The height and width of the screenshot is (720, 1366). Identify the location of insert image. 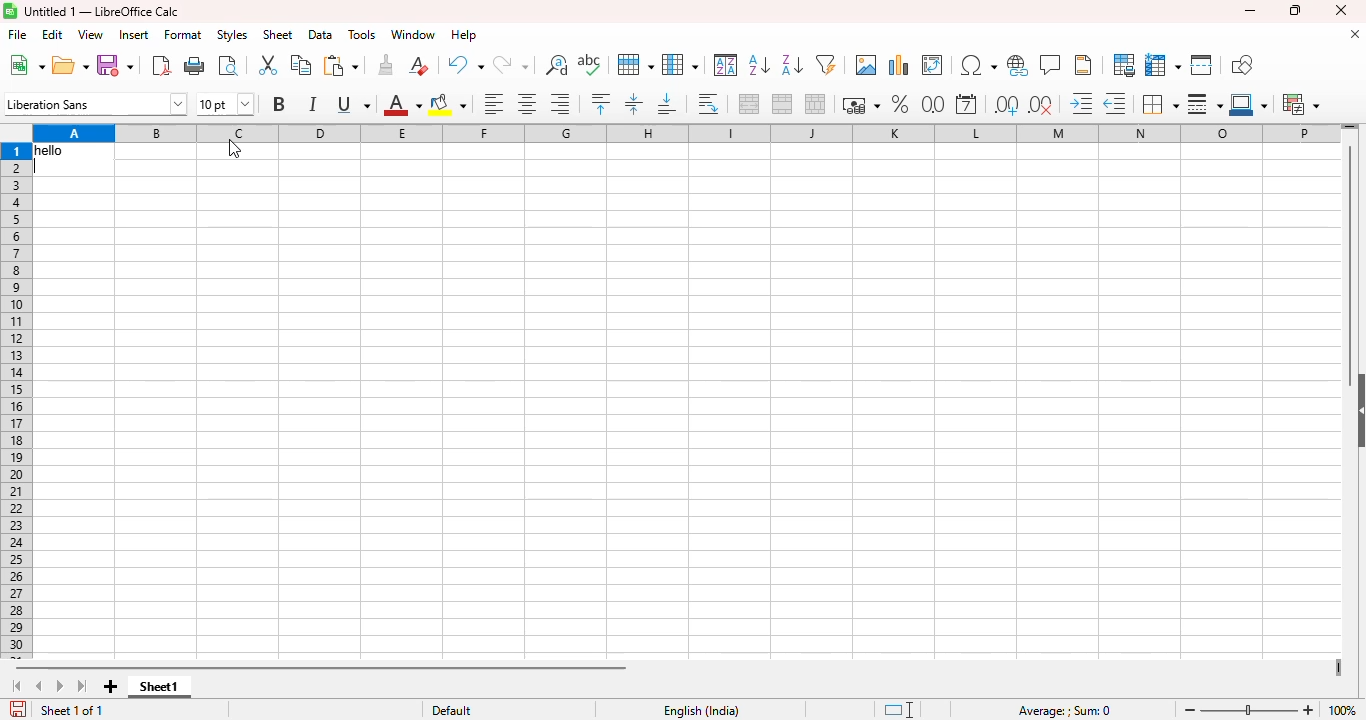
(867, 65).